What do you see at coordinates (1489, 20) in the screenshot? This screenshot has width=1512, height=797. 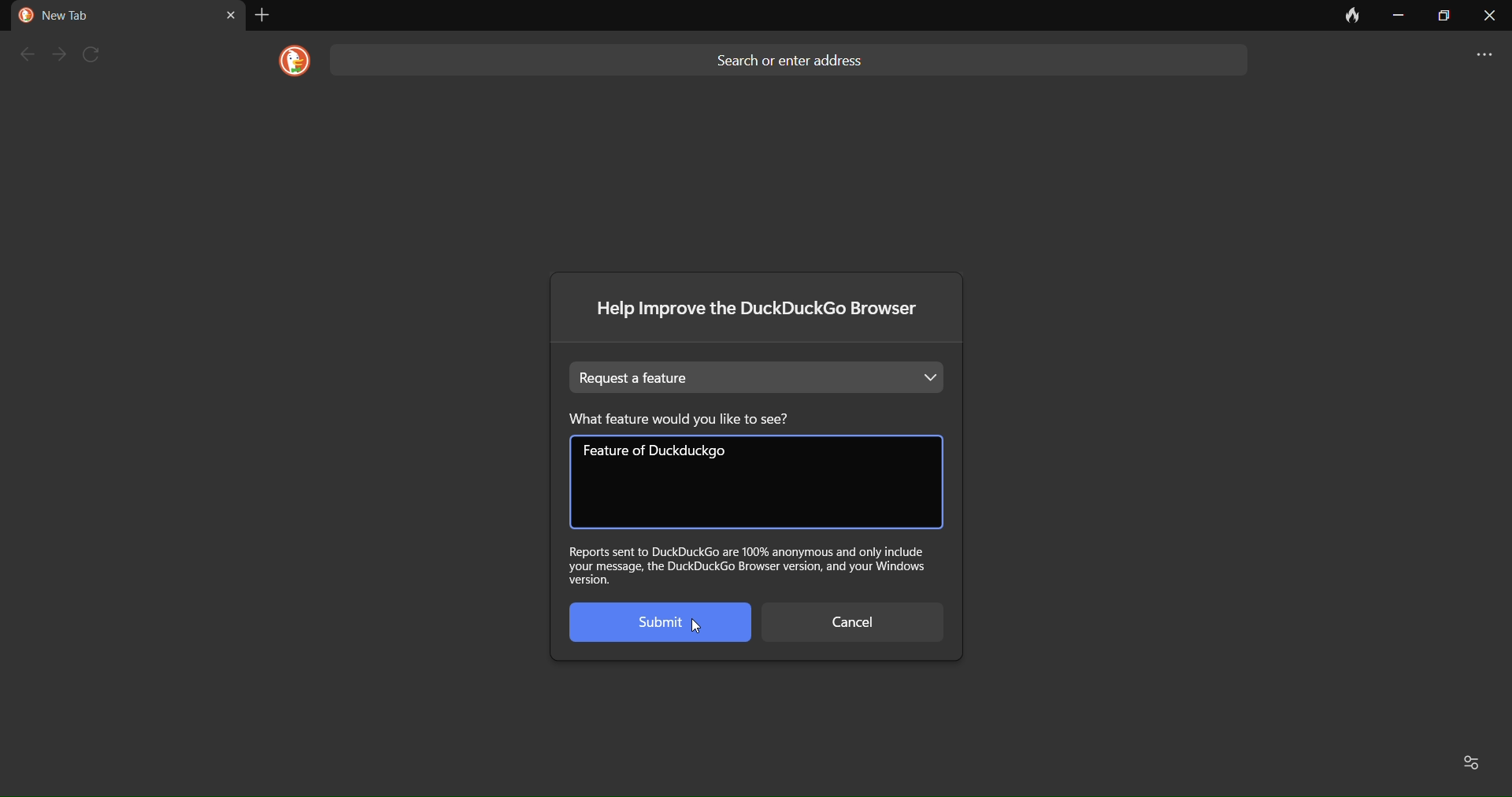 I see `close` at bounding box center [1489, 20].